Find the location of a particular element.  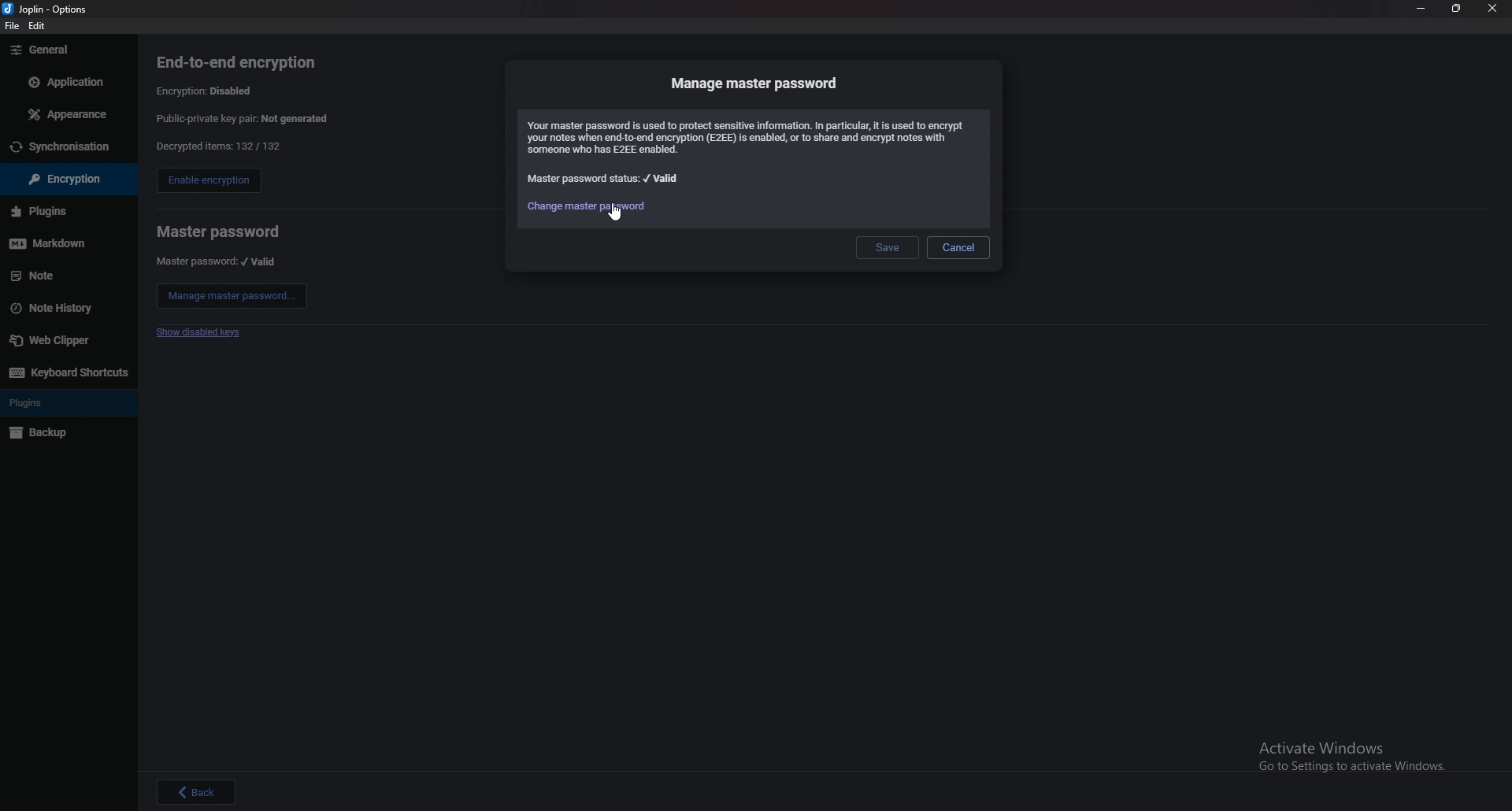

note is located at coordinates (63, 276).